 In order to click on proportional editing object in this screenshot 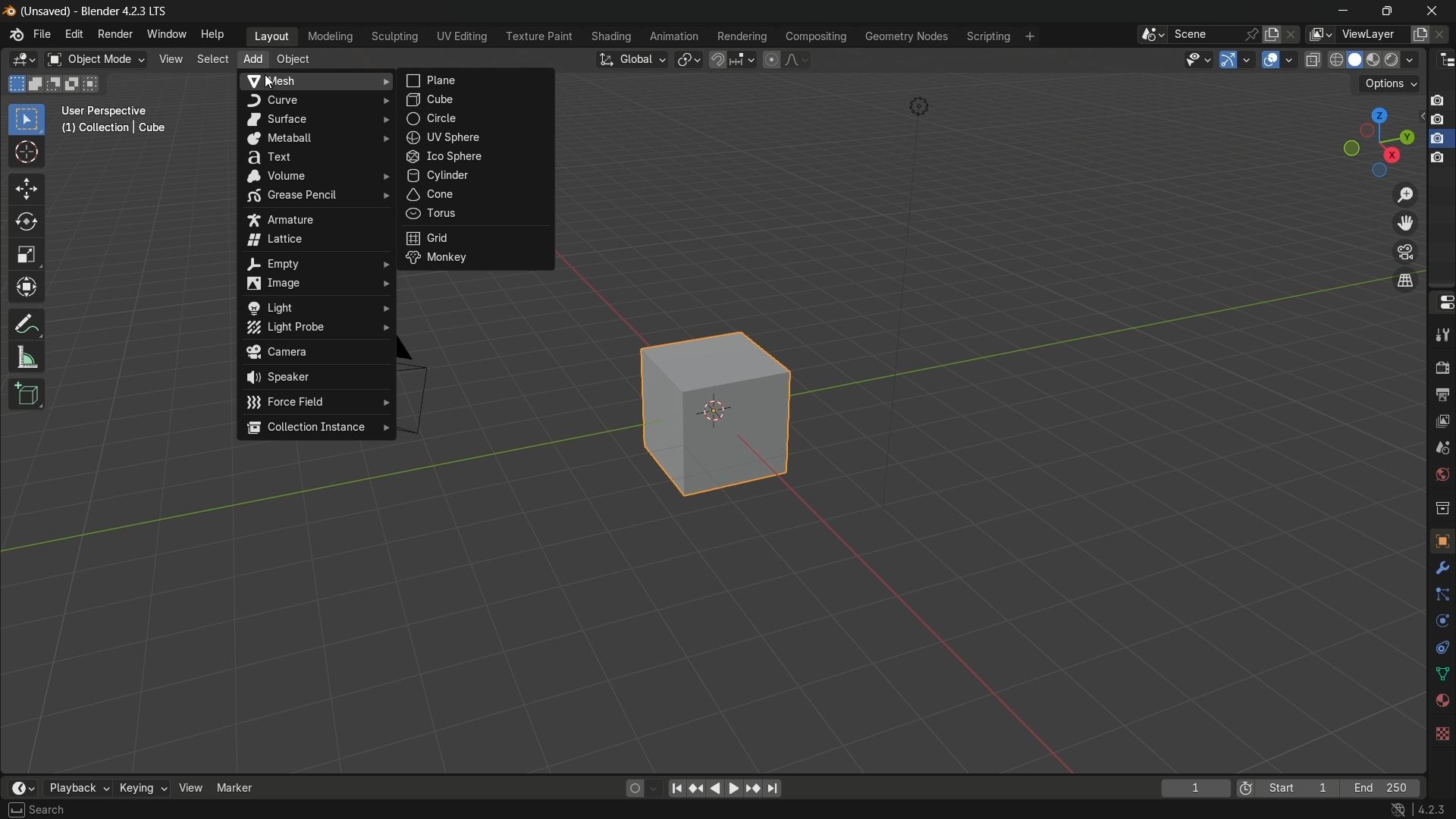, I will do `click(770, 59)`.